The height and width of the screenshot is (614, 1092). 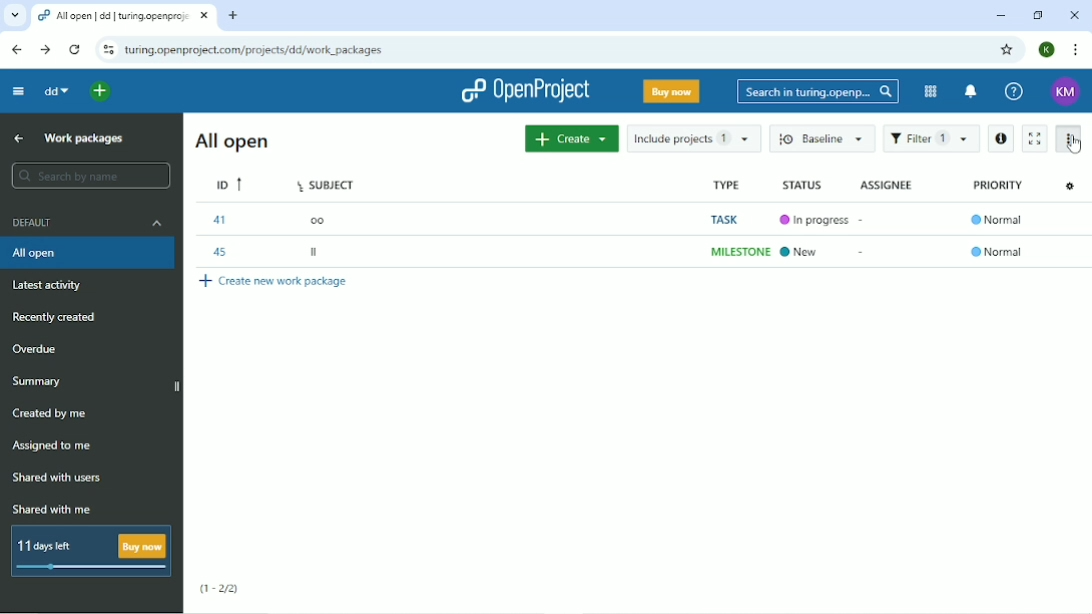 I want to click on View site information, so click(x=107, y=50).